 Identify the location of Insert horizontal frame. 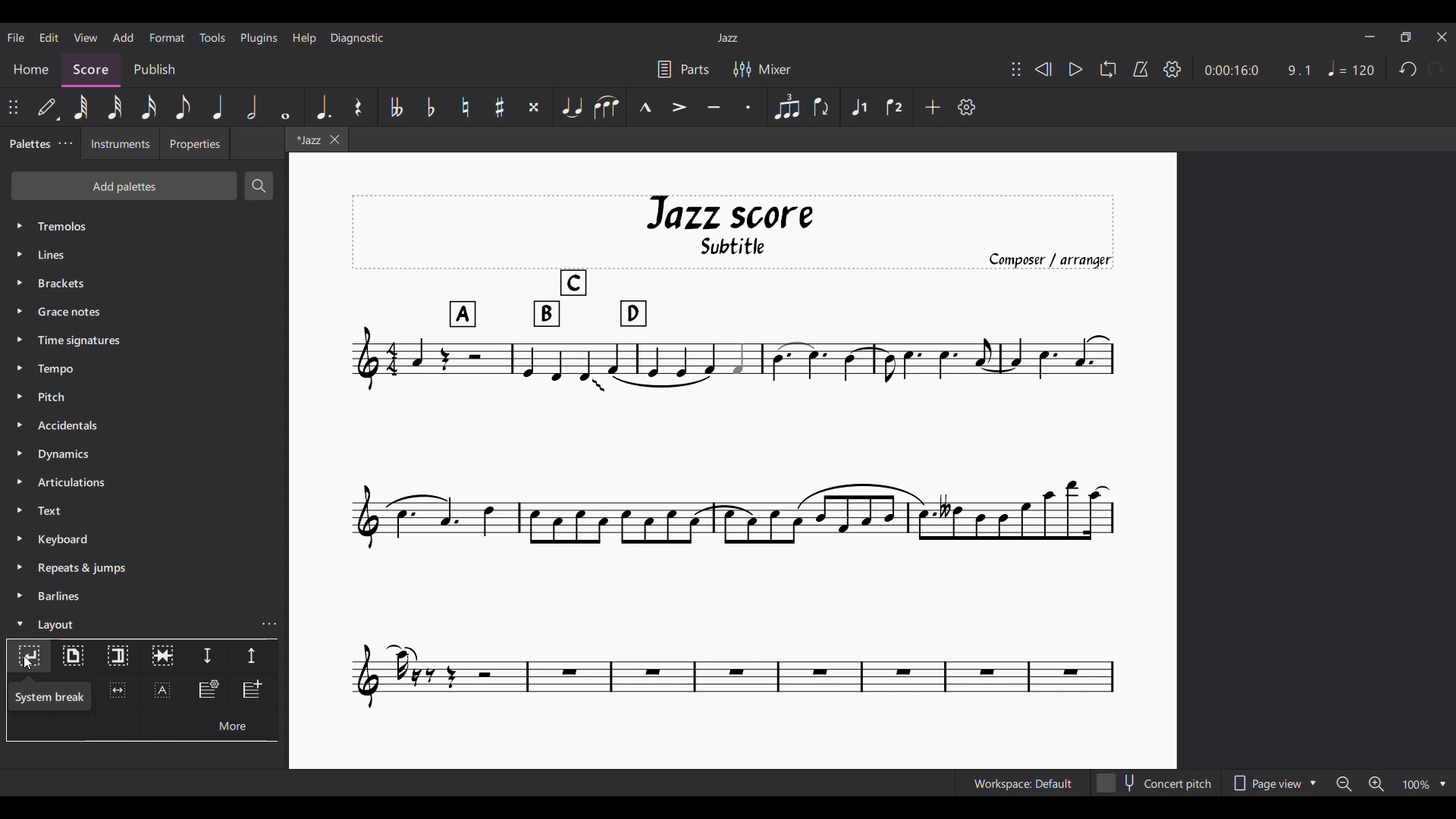
(118, 690).